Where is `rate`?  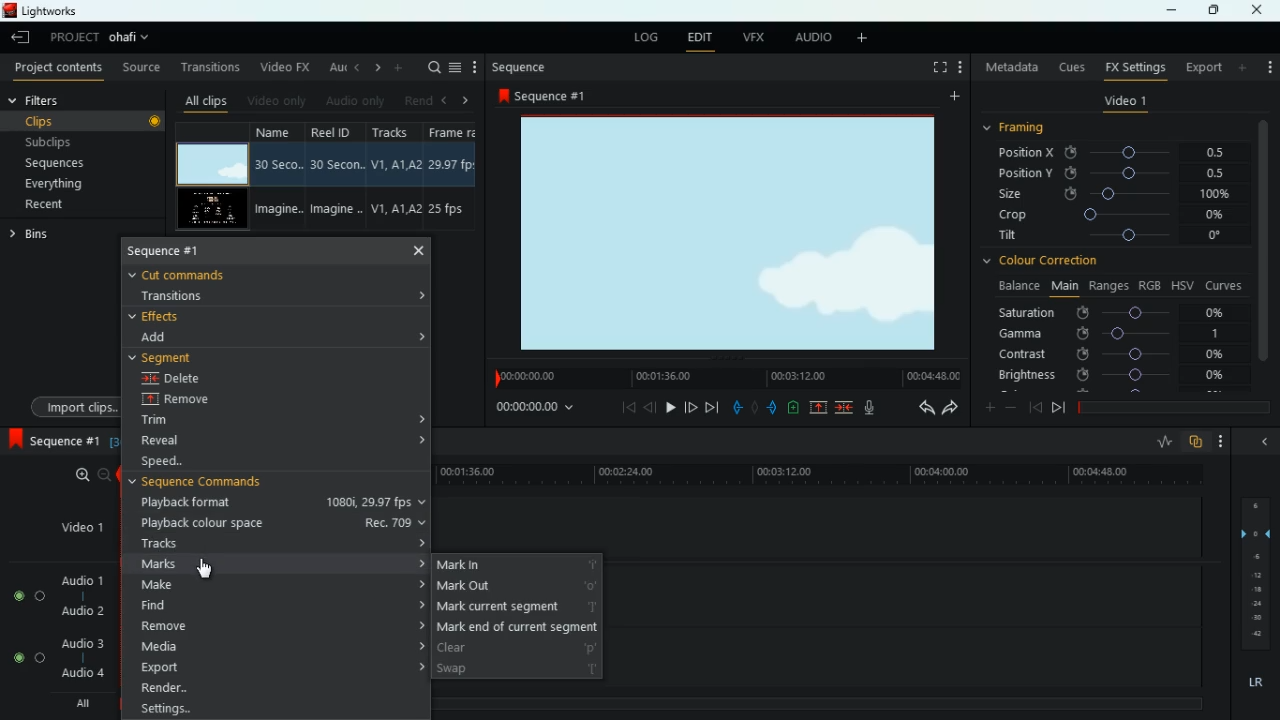
rate is located at coordinates (1161, 444).